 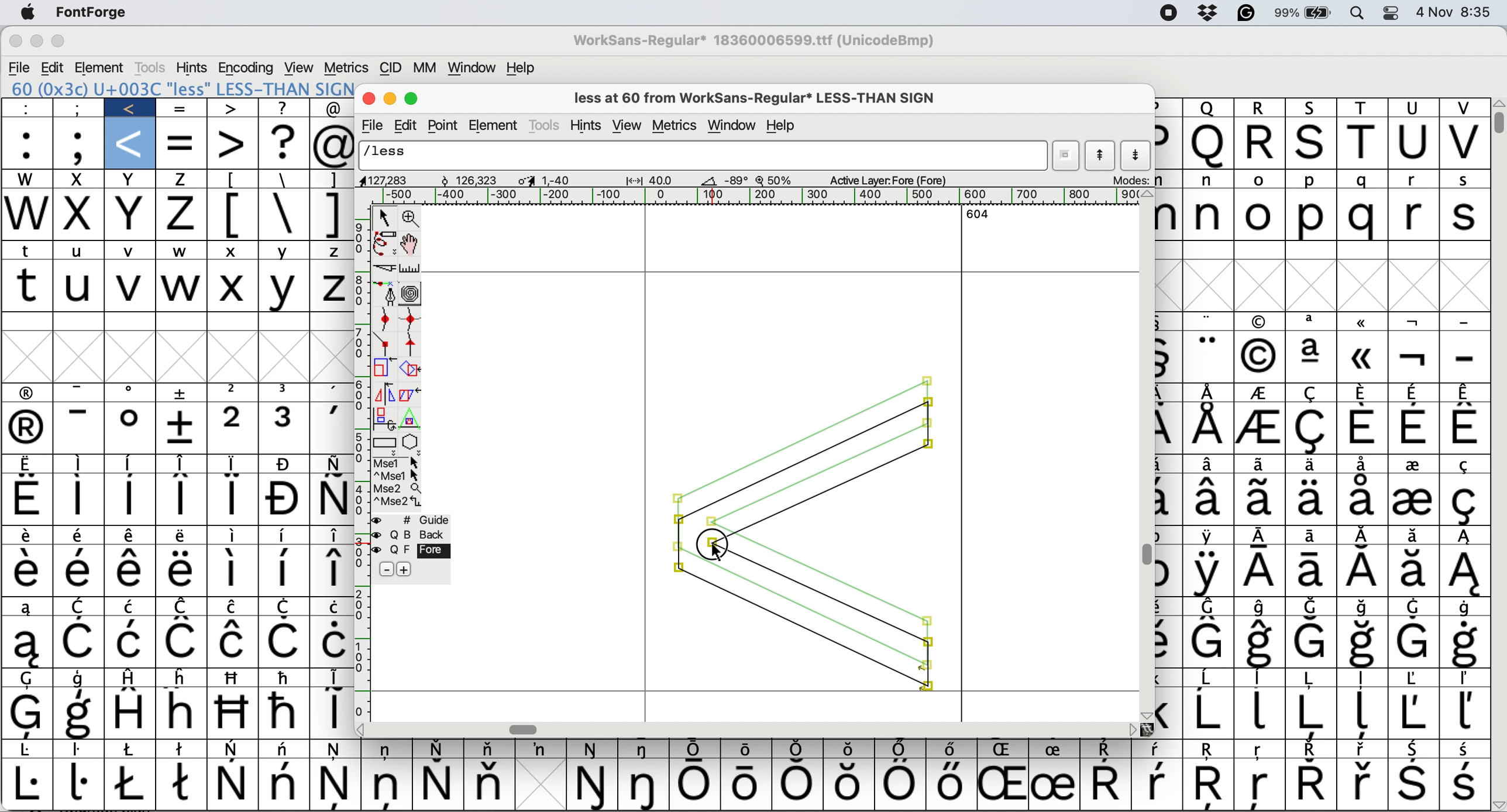 I want to click on Symbol, so click(x=338, y=785).